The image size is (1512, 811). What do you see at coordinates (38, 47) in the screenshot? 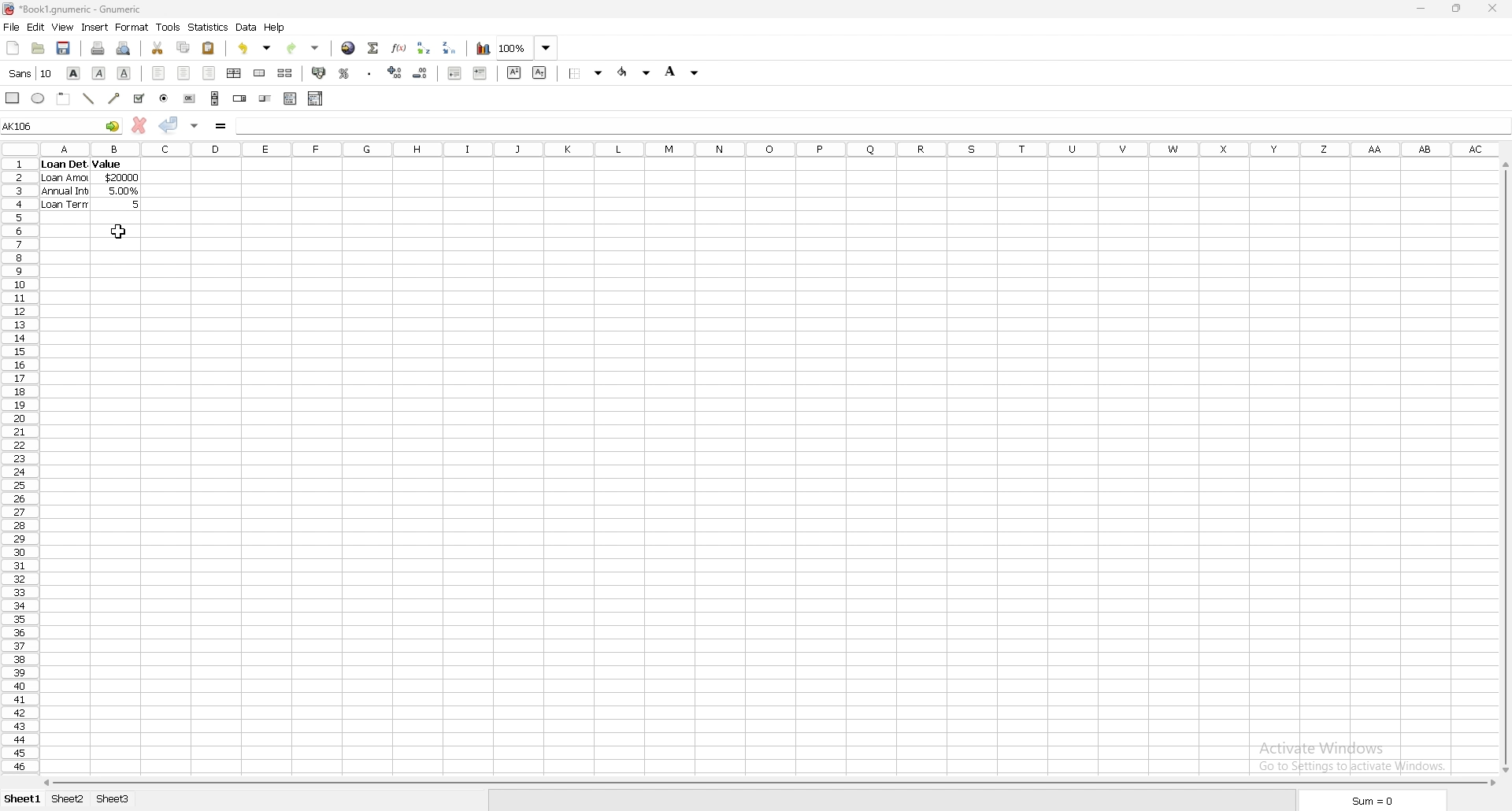
I see `open` at bounding box center [38, 47].